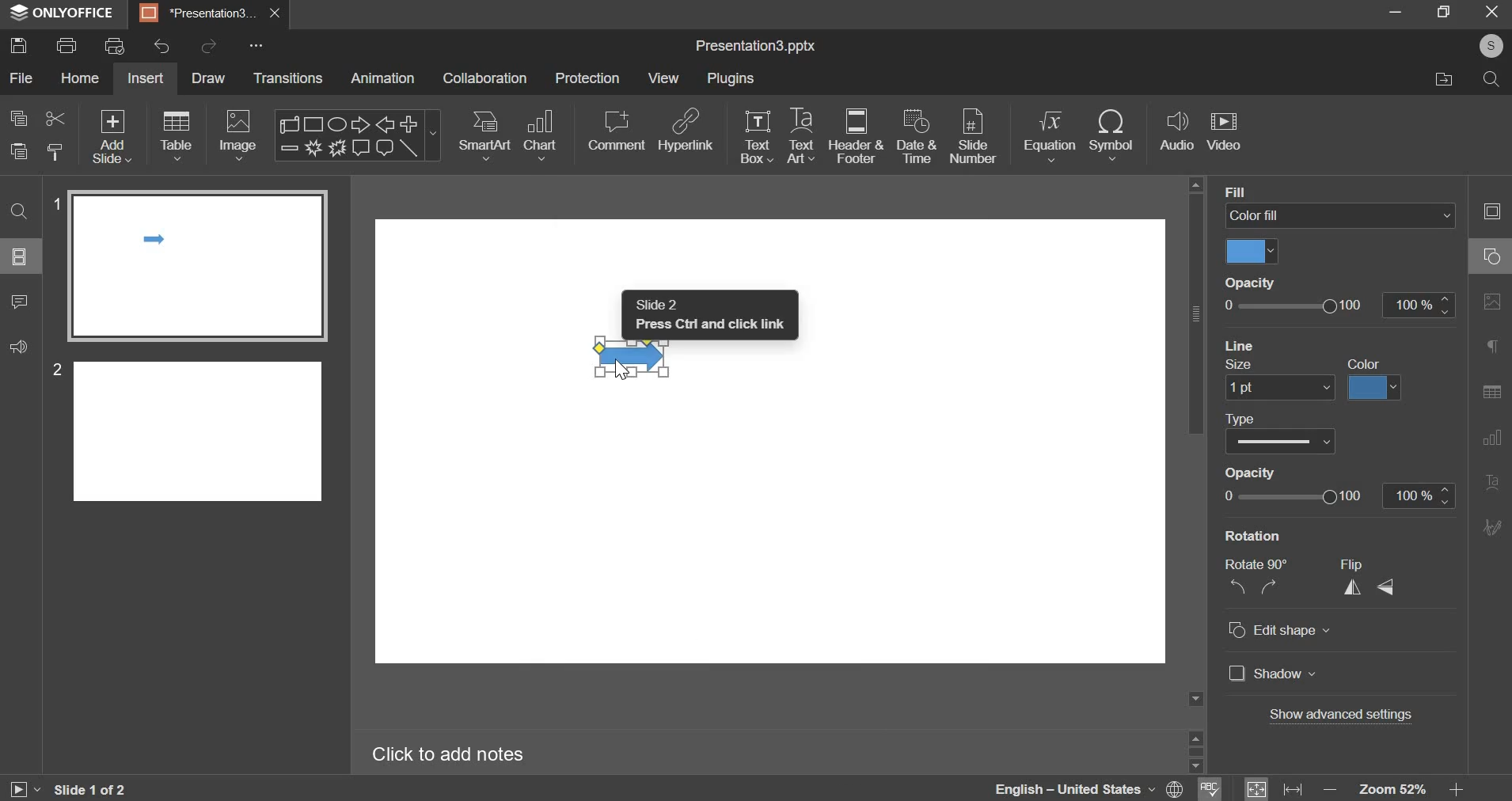  What do you see at coordinates (288, 147) in the screenshot?
I see `minus` at bounding box center [288, 147].